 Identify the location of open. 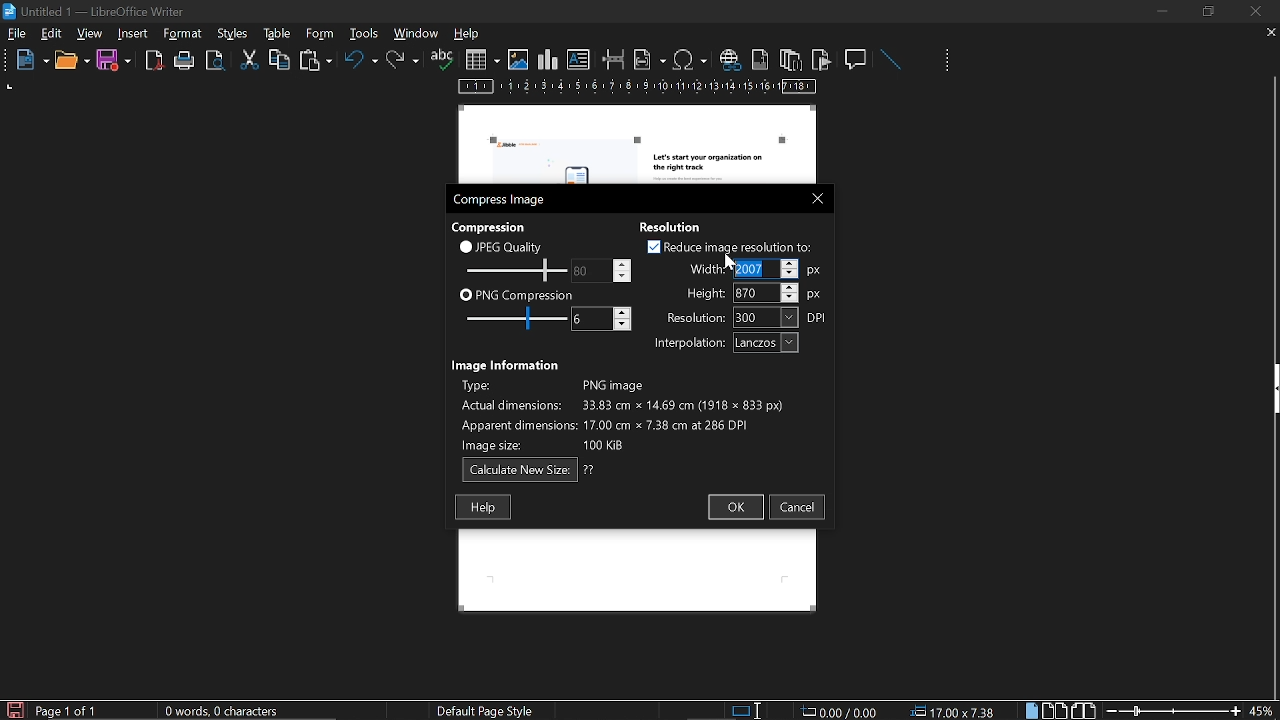
(71, 61).